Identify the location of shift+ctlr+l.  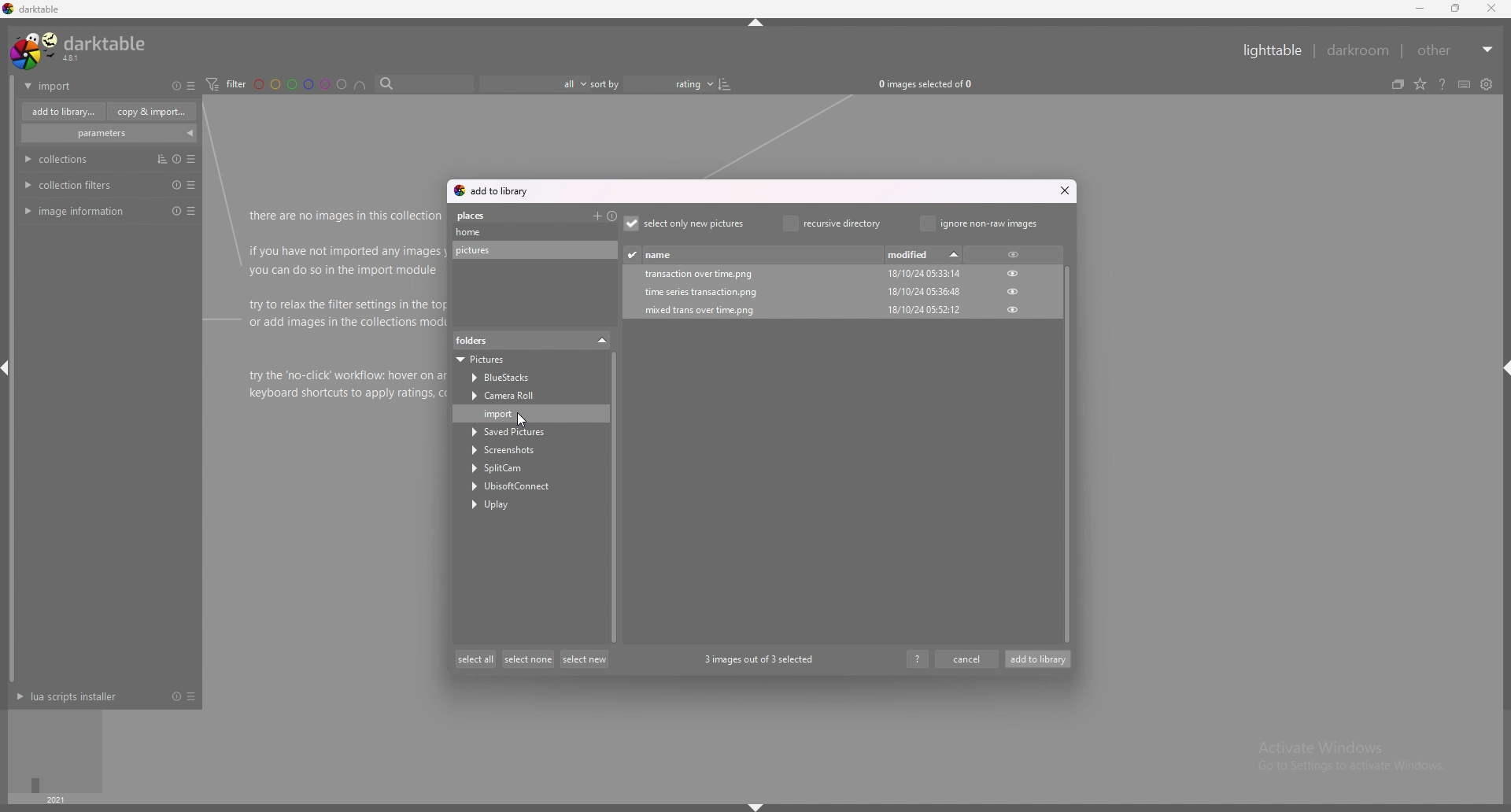
(9, 371).